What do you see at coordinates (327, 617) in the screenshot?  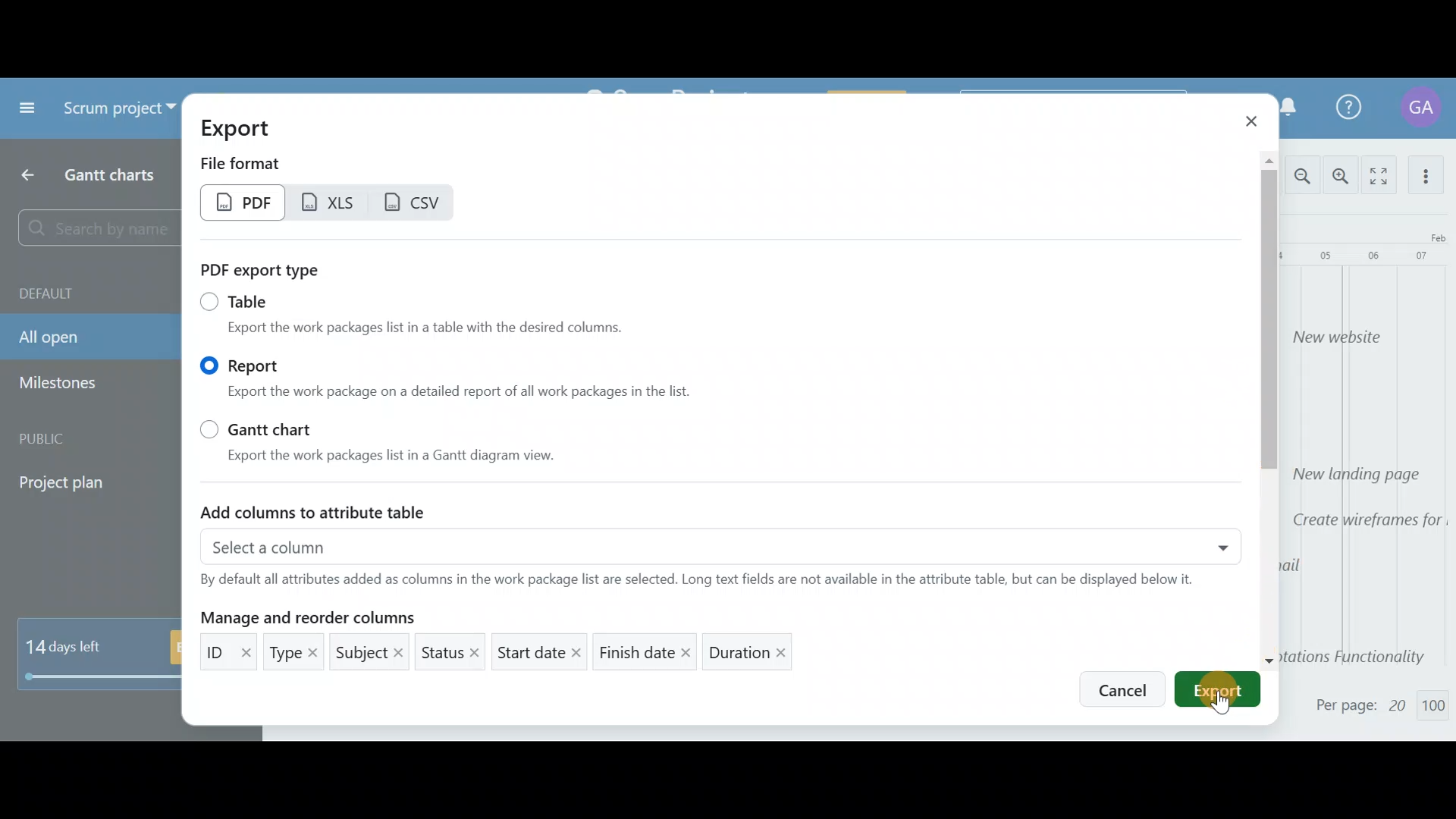 I see `Manage and reorder columns` at bounding box center [327, 617].